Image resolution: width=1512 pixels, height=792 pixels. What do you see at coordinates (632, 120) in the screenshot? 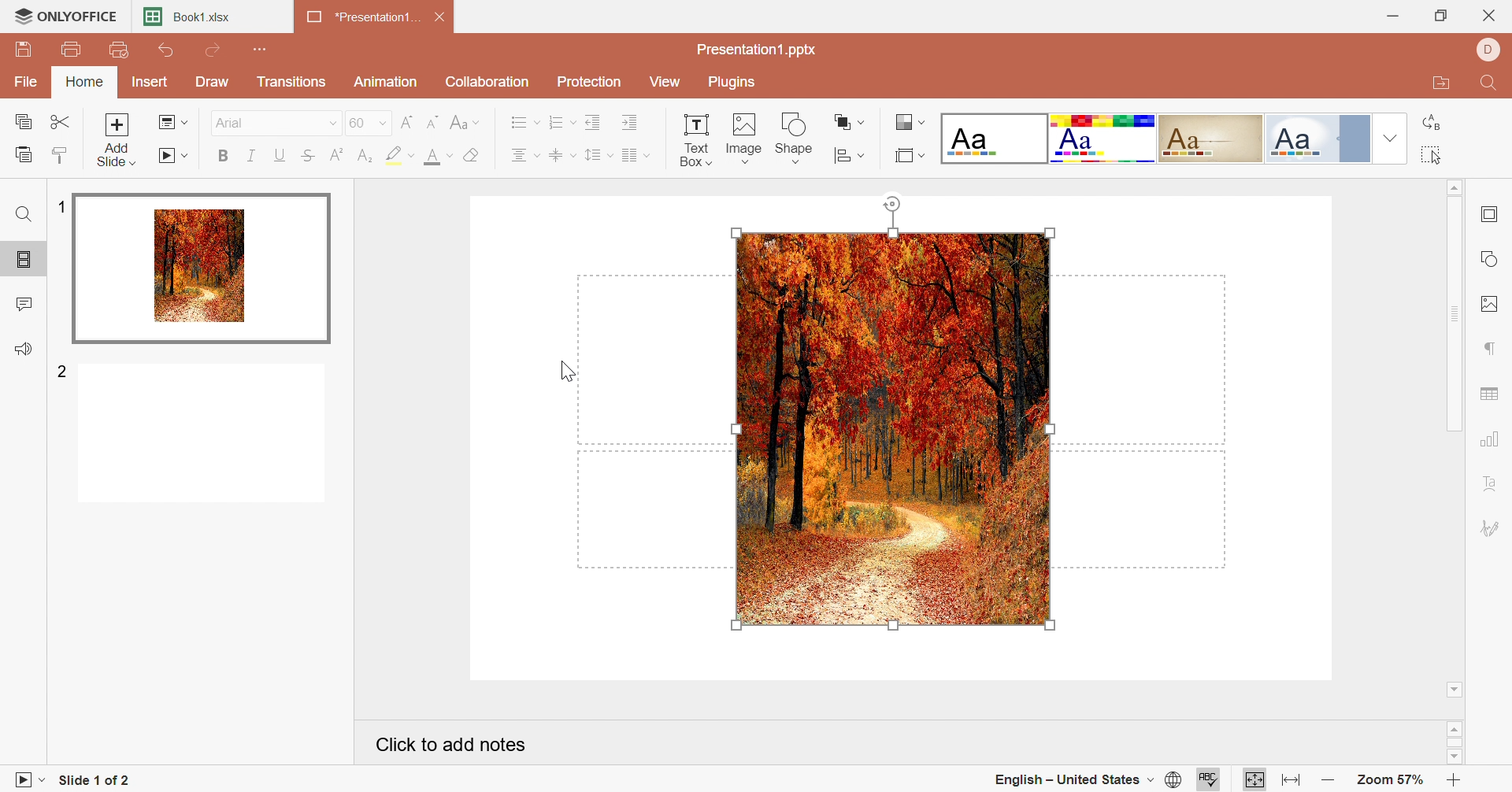
I see `Increase indent` at bounding box center [632, 120].